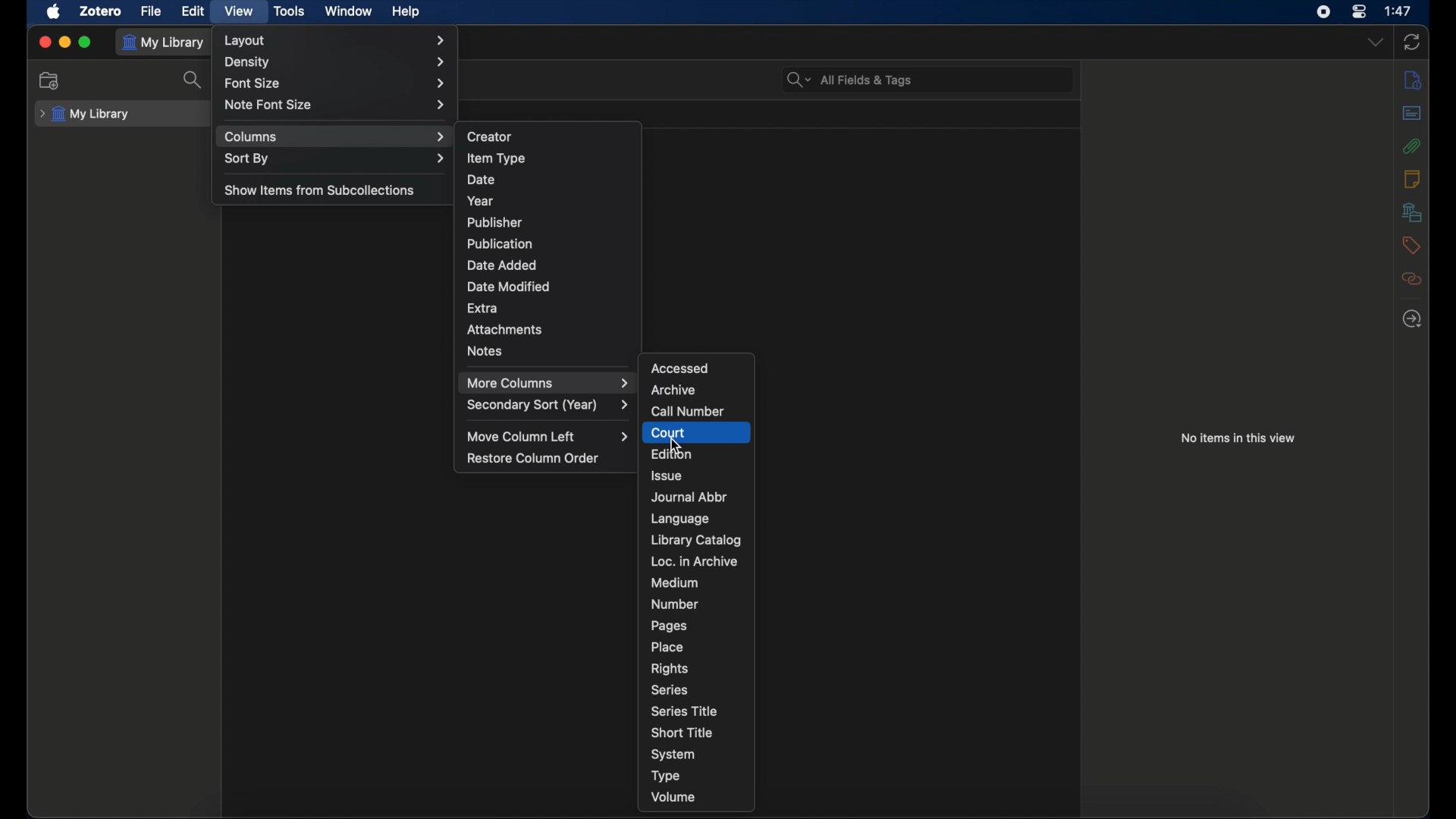 This screenshot has height=819, width=1456. I want to click on density, so click(337, 63).